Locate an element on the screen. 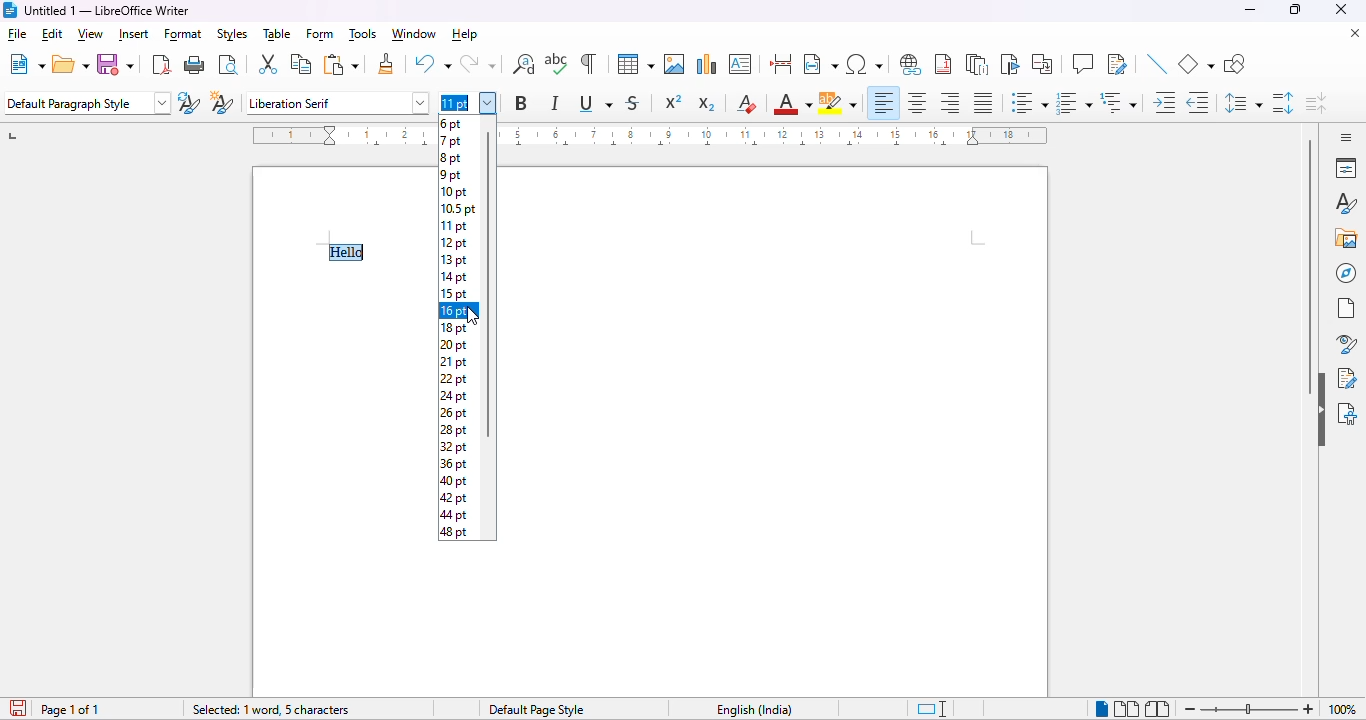 The width and height of the screenshot is (1366, 720). 11 pt is located at coordinates (453, 227).